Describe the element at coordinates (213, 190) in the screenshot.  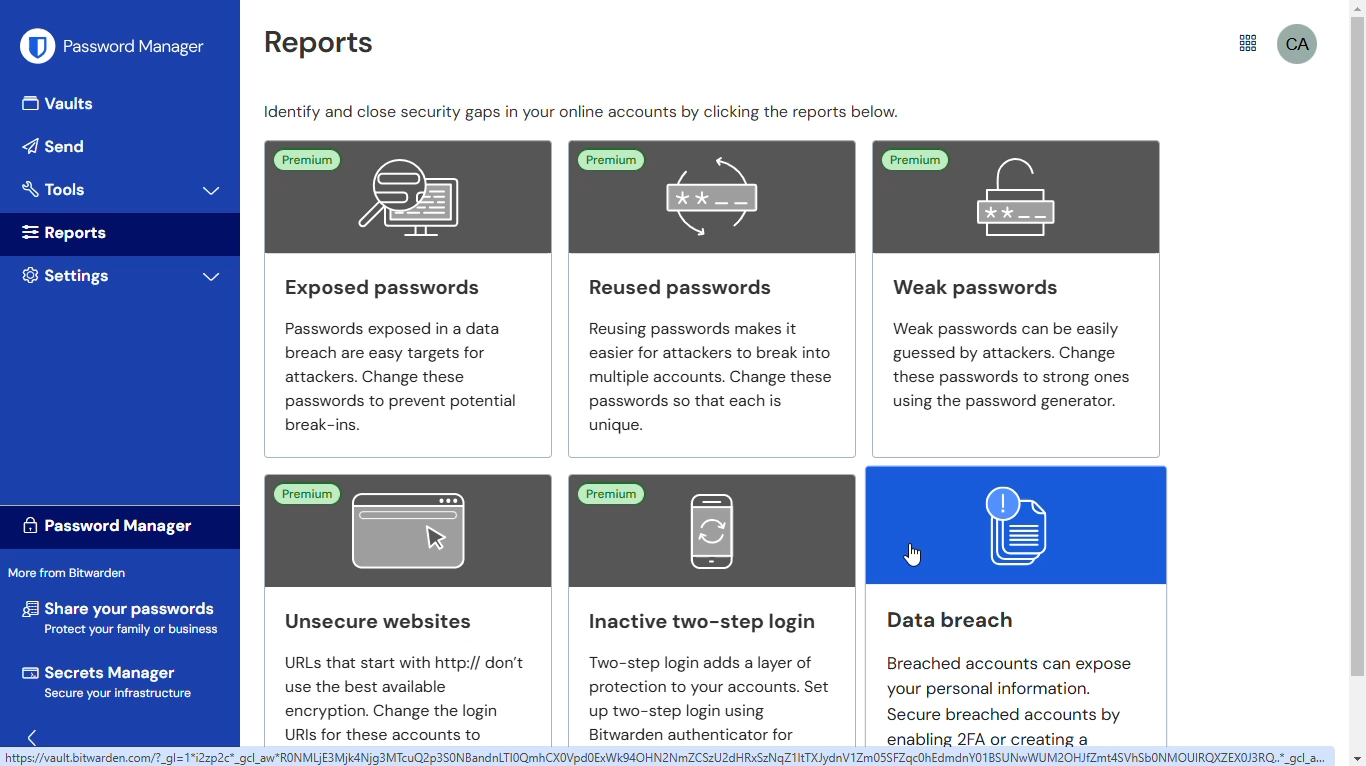
I see `toggle expand` at that location.